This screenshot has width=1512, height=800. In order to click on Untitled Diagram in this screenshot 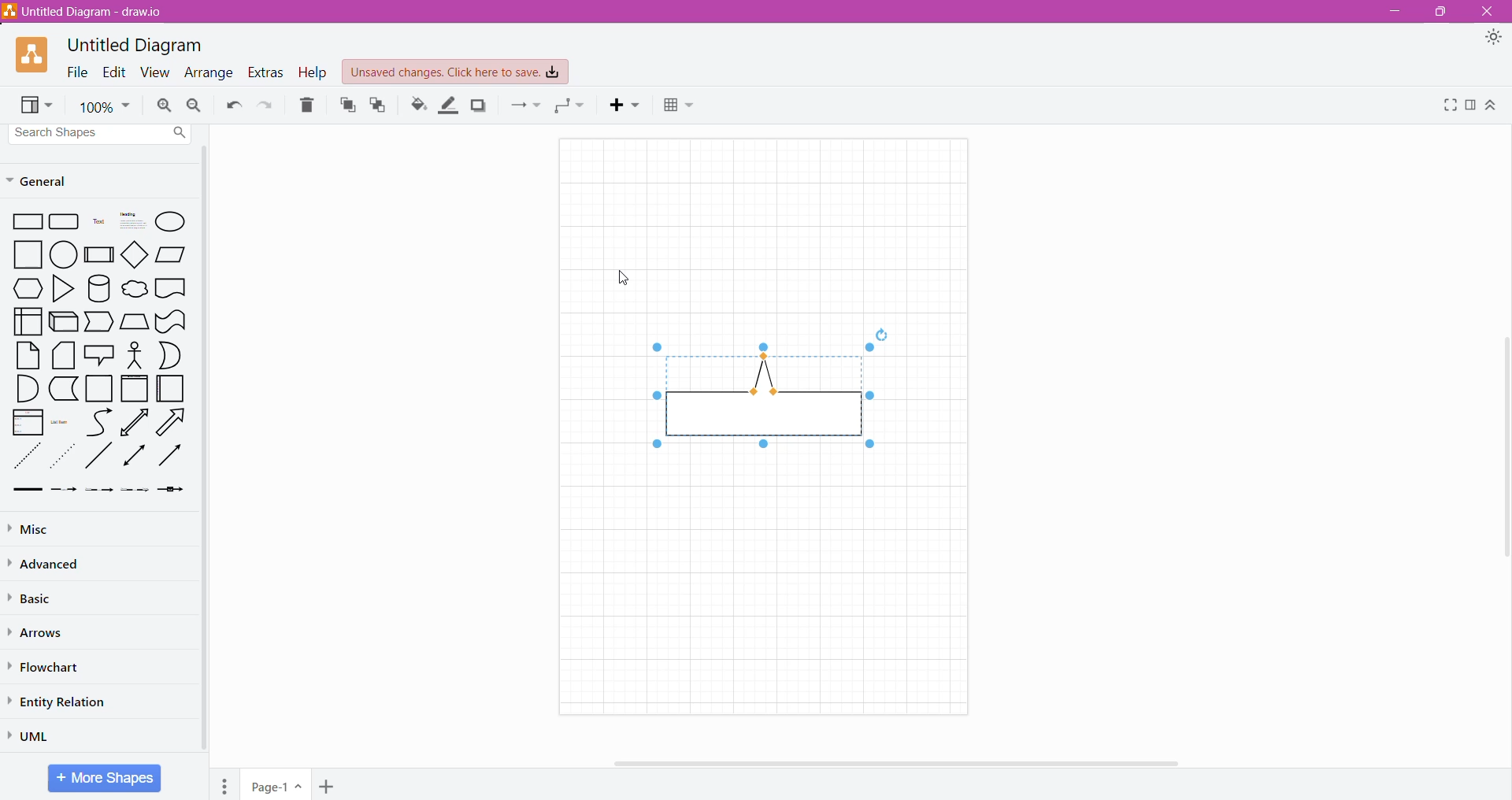, I will do `click(135, 46)`.